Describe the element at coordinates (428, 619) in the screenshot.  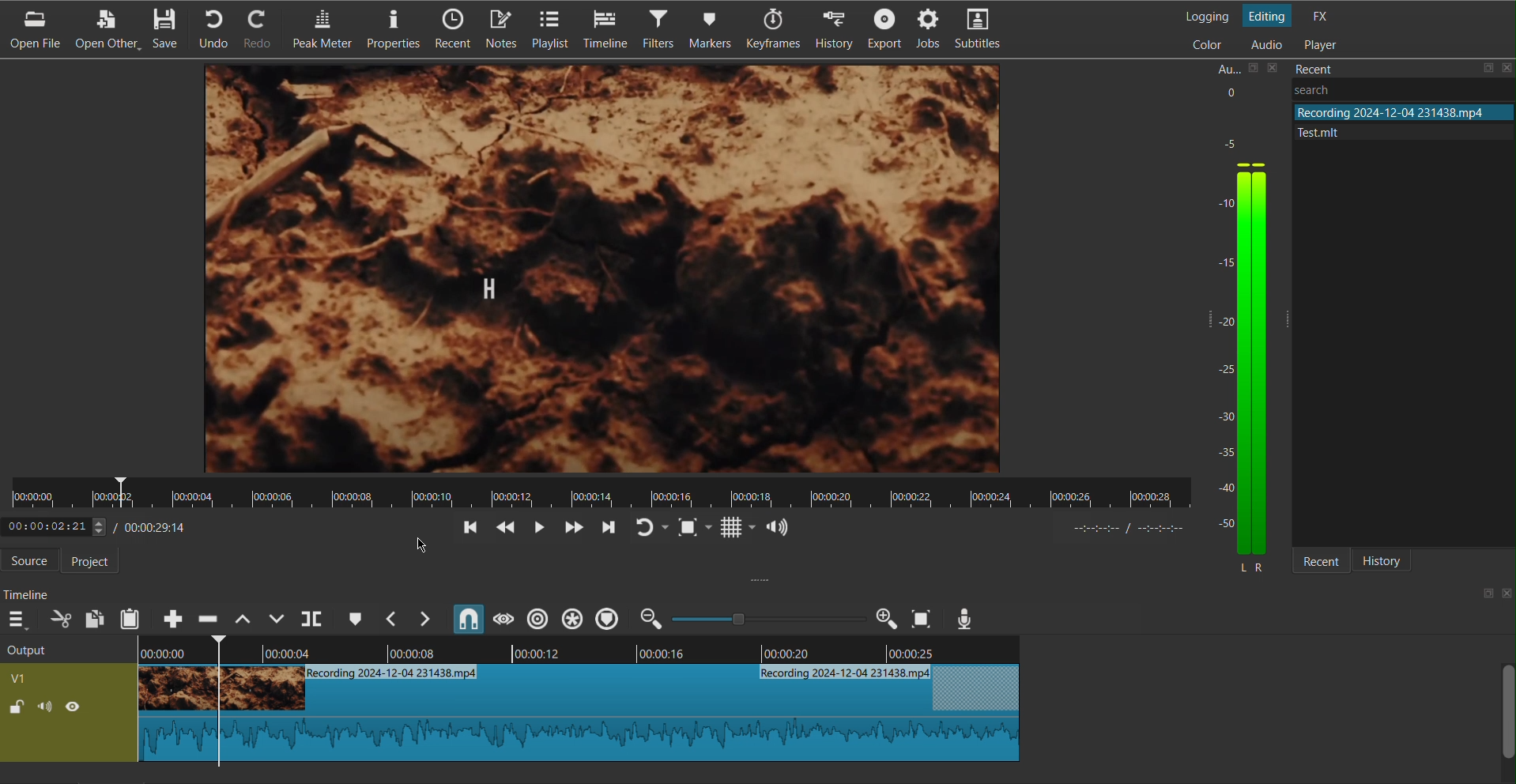
I see `Next Marker` at that location.